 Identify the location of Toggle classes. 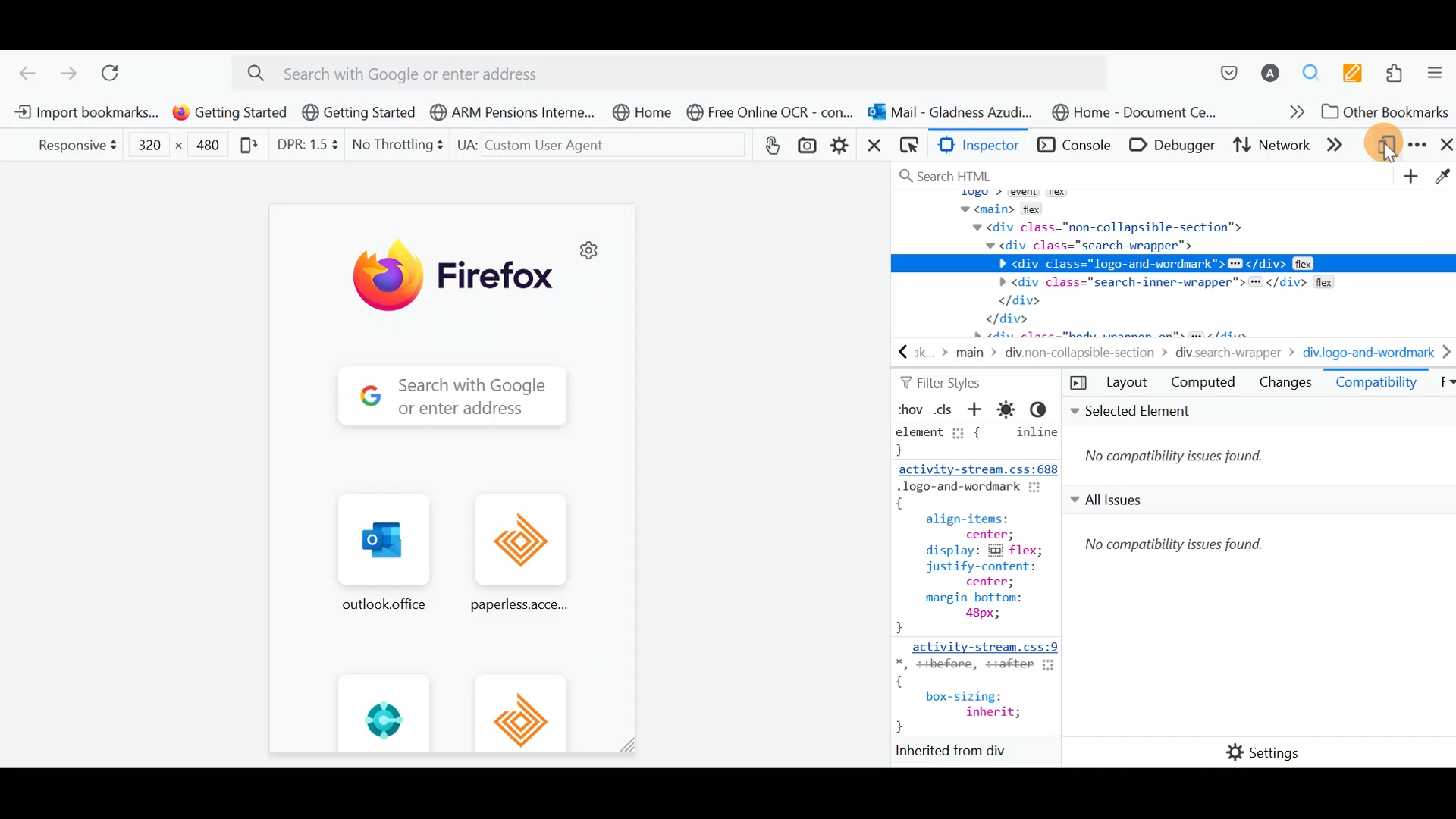
(946, 409).